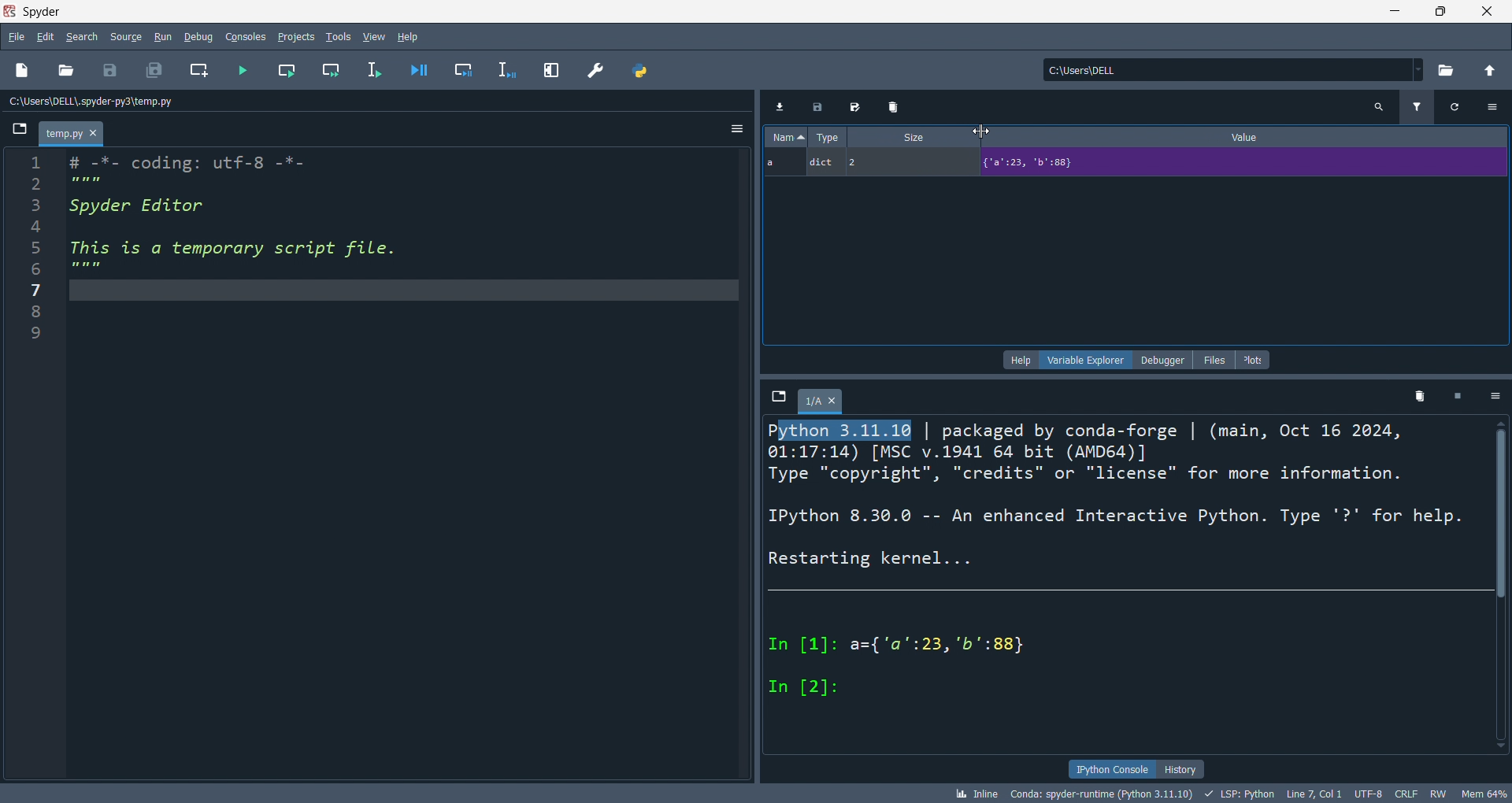 The height and width of the screenshot is (803, 1512). What do you see at coordinates (1134, 586) in the screenshot?
I see `ipython console pane` at bounding box center [1134, 586].